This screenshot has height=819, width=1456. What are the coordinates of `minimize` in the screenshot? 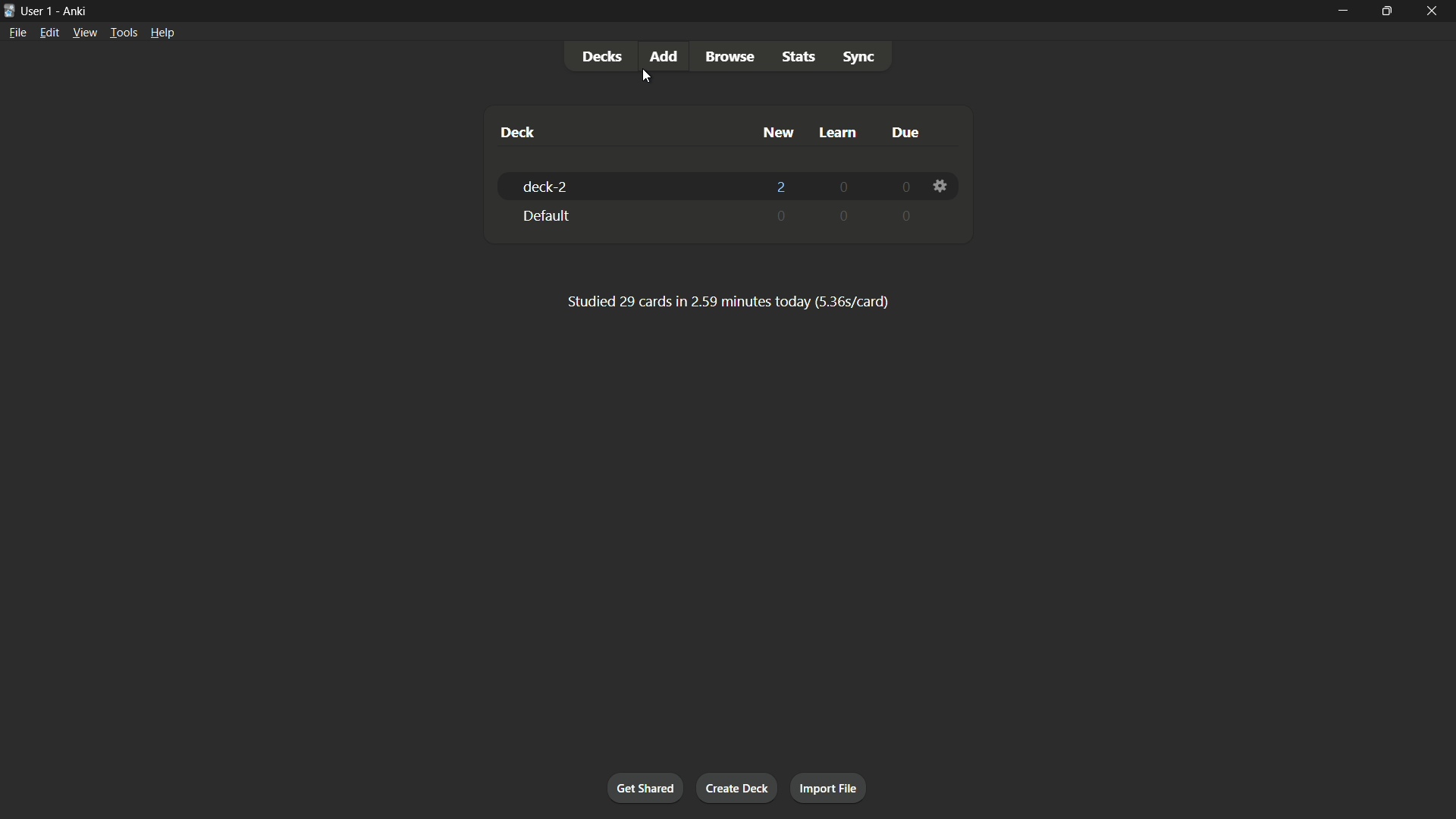 It's located at (1341, 12).